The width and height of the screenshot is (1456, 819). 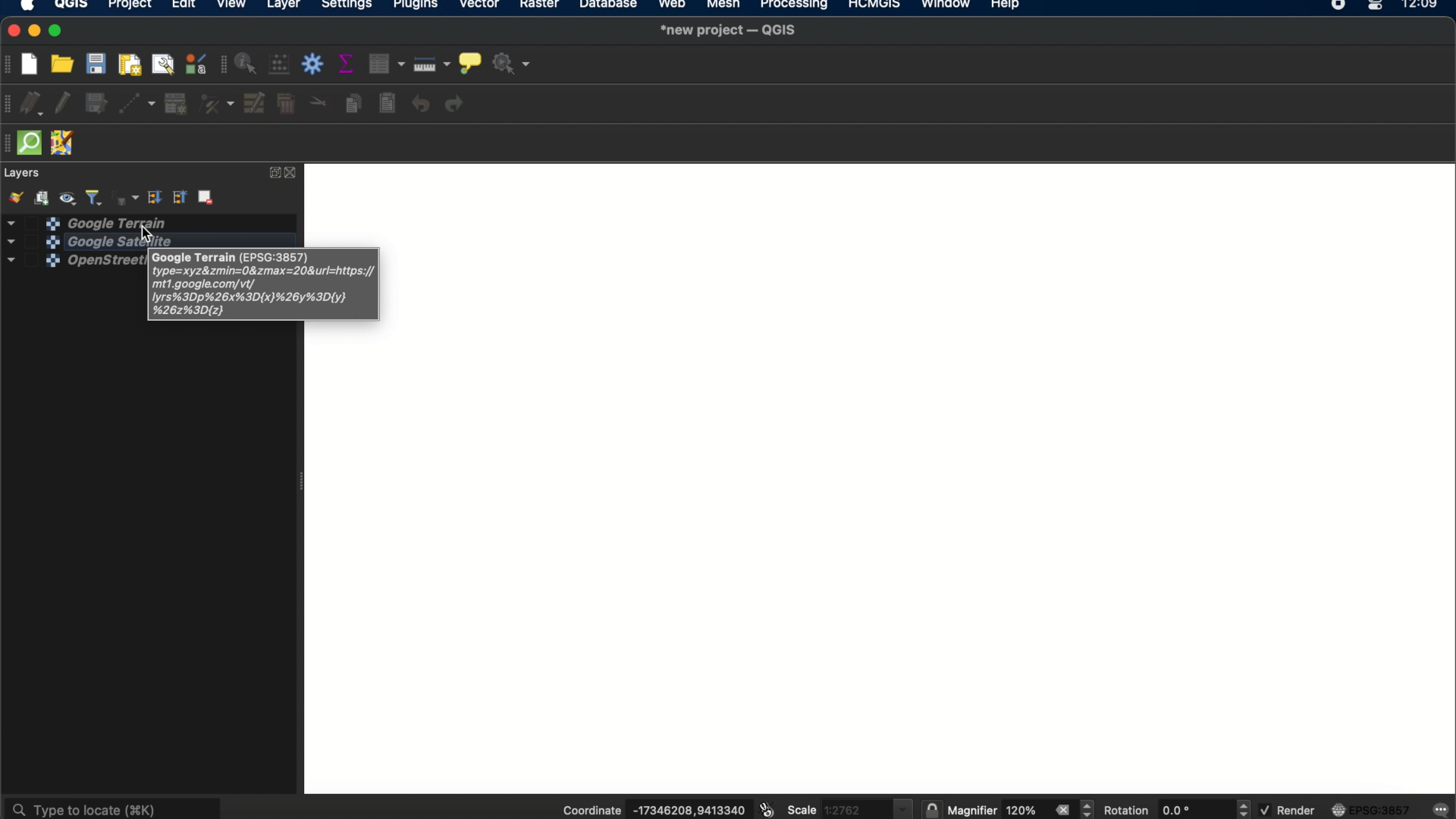 What do you see at coordinates (154, 198) in the screenshot?
I see `expand all` at bounding box center [154, 198].